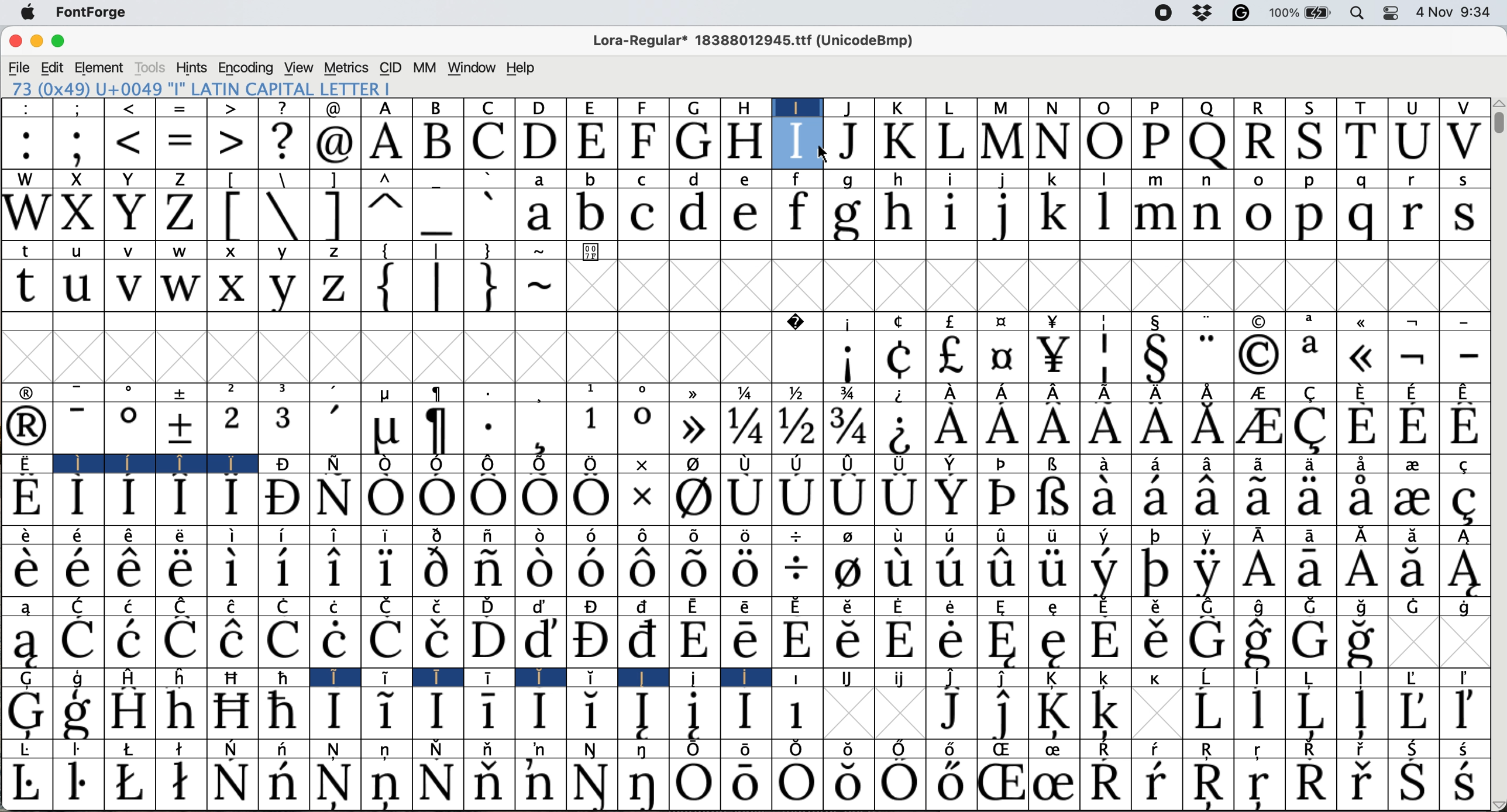 This screenshot has height=812, width=1507. Describe the element at coordinates (902, 534) in the screenshot. I see `Symbol` at that location.